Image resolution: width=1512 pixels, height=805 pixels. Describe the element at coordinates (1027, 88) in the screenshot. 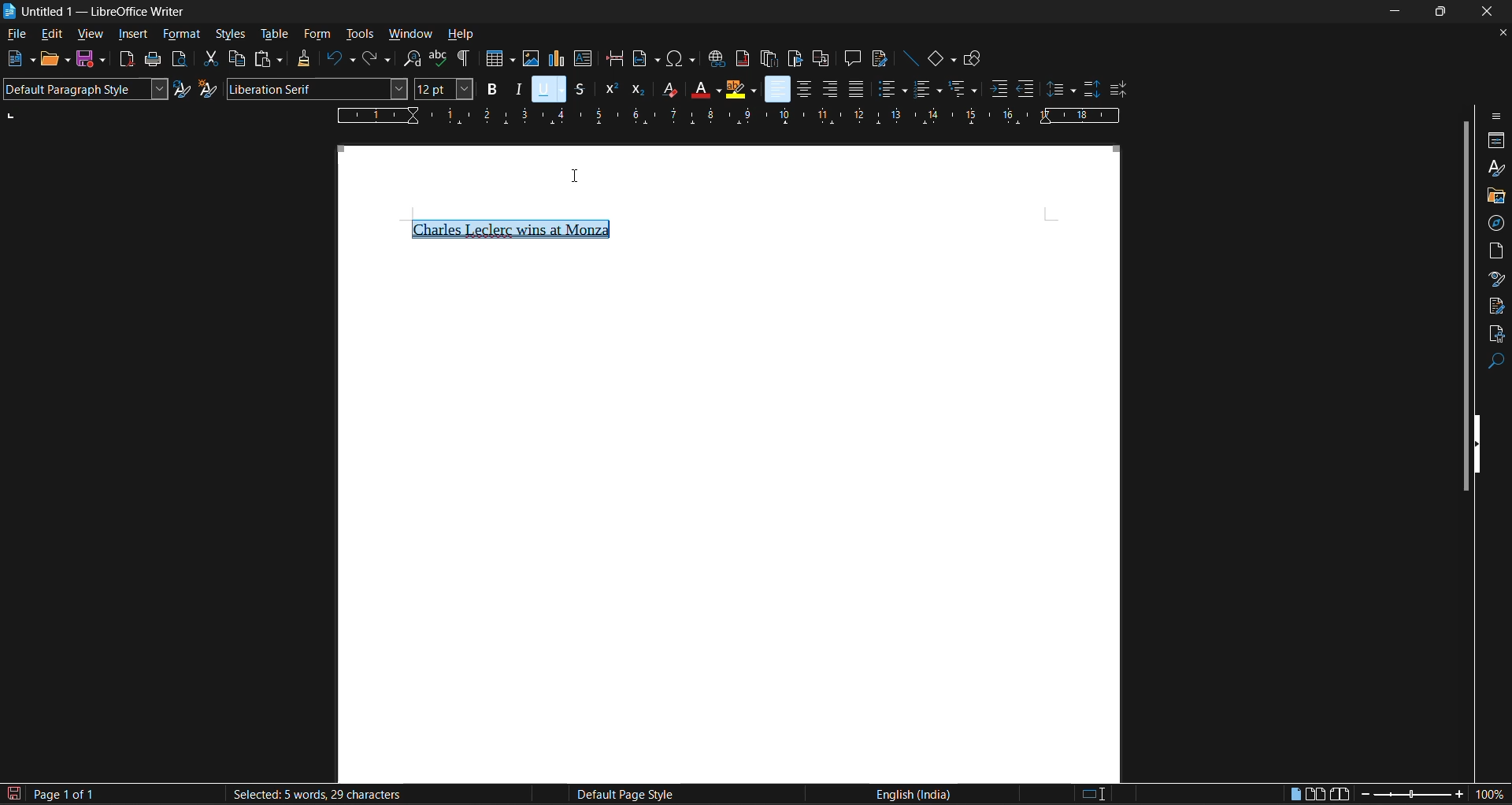

I see `decrease indent` at that location.